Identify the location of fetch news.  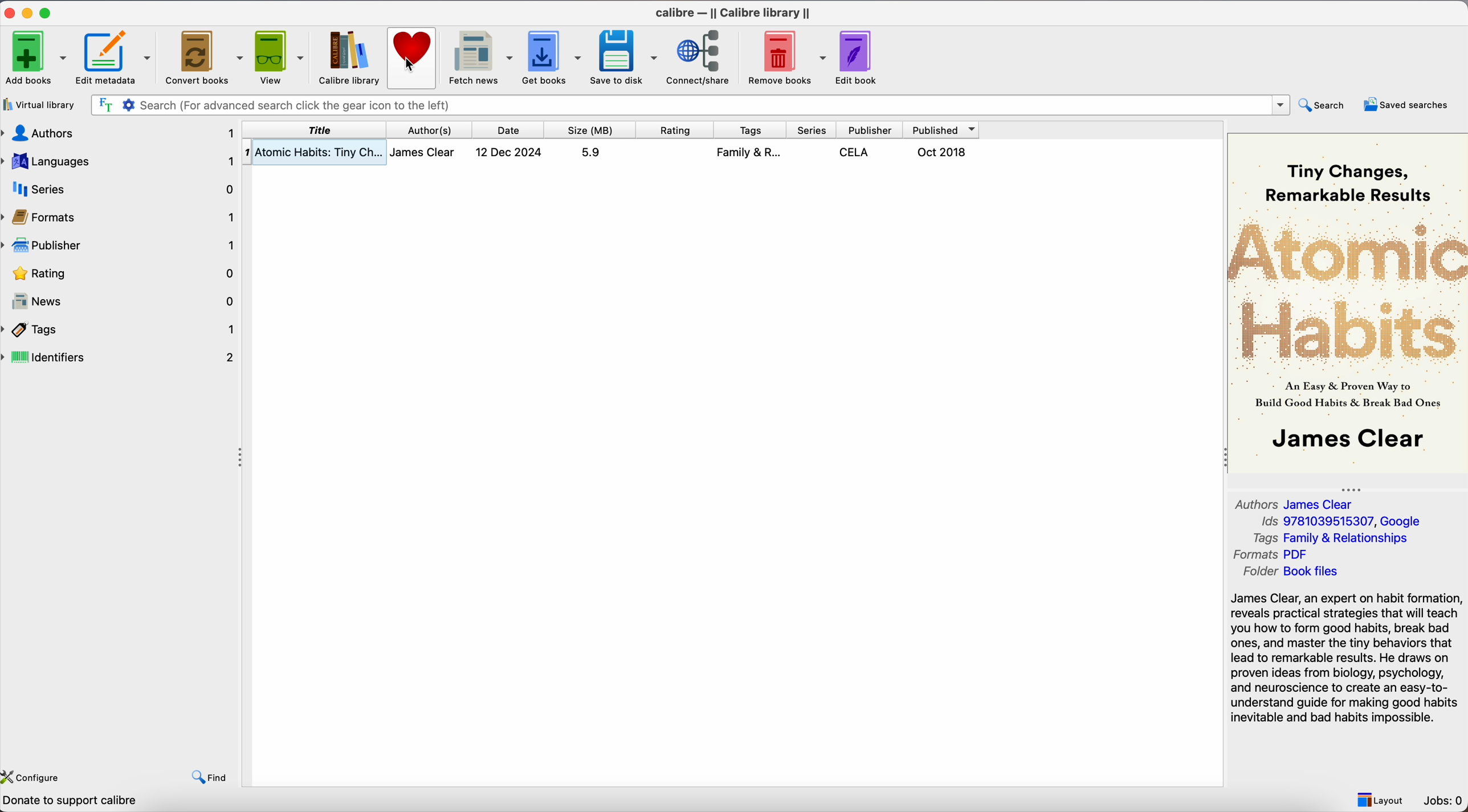
(479, 59).